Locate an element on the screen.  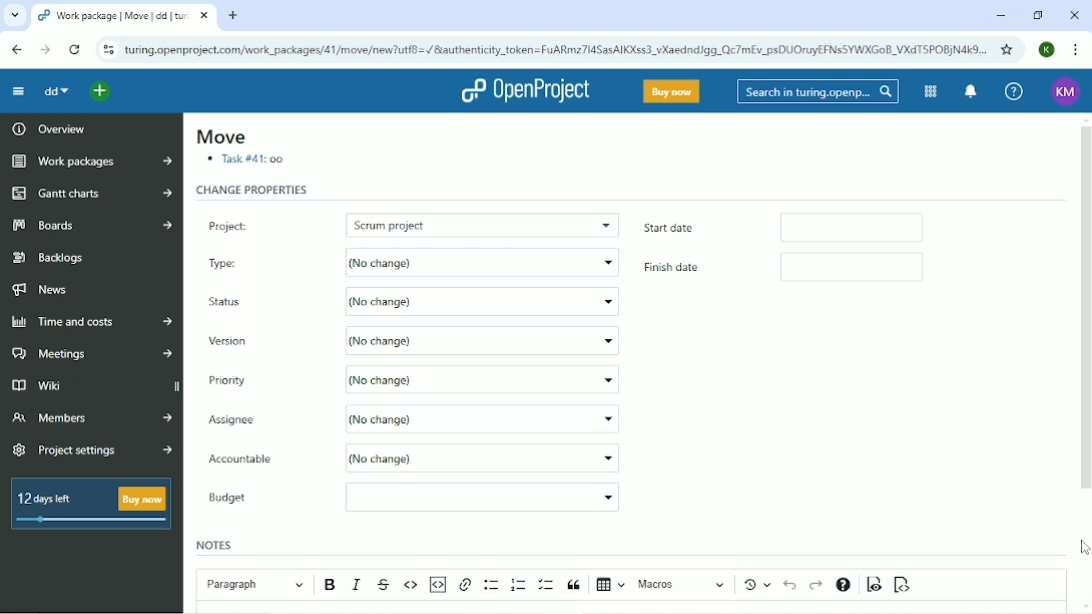
View site information is located at coordinates (107, 50).